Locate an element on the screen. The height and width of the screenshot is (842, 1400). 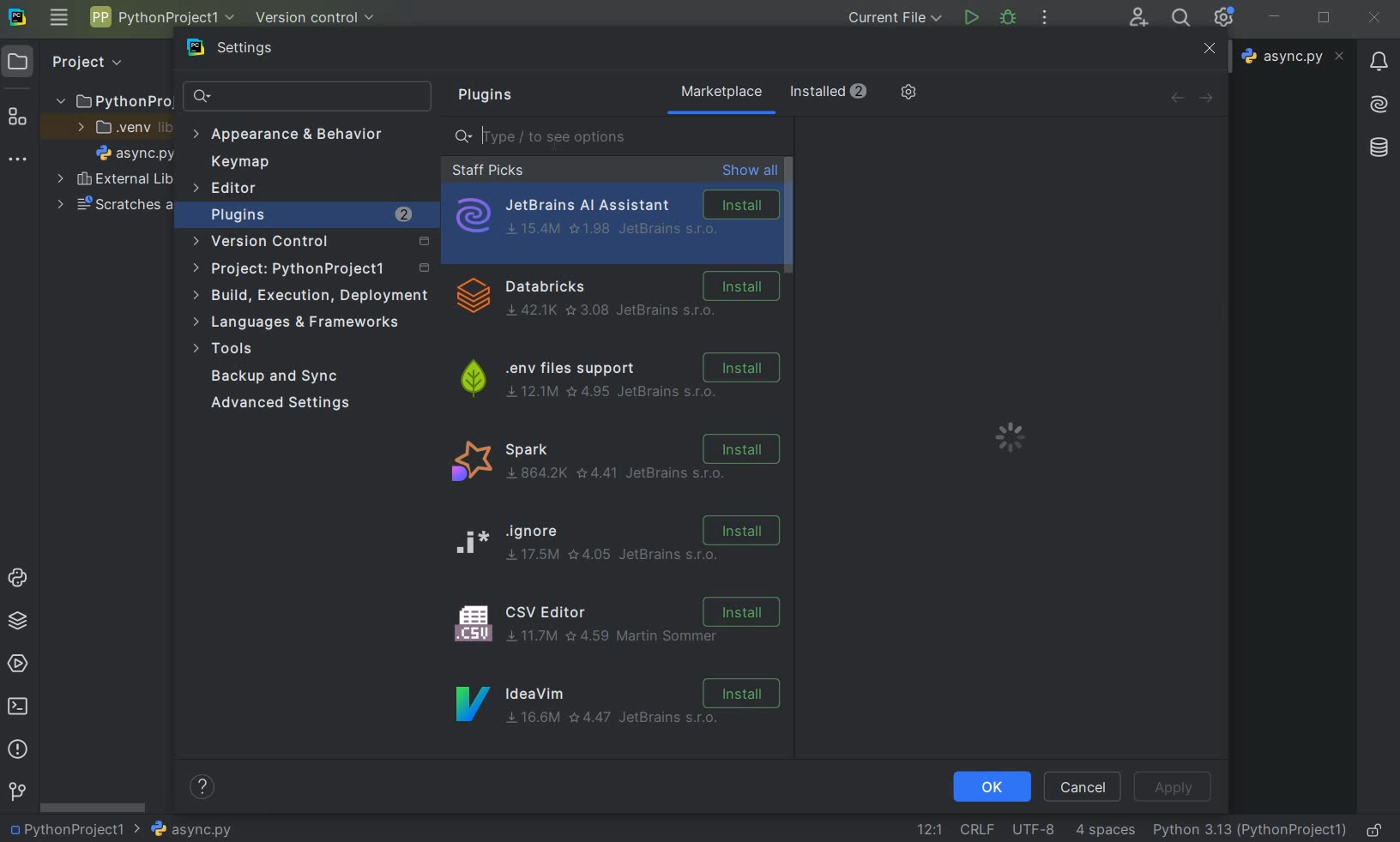
structure is located at coordinates (18, 114).